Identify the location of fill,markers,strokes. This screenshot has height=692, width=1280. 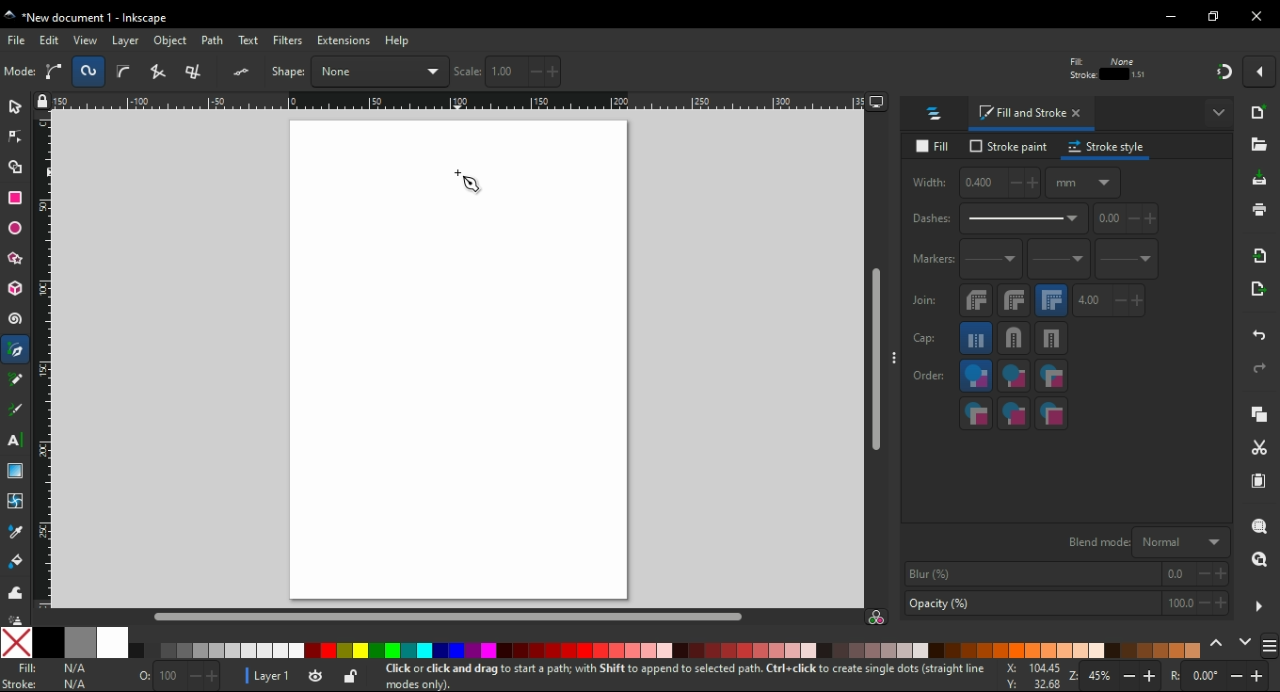
(1051, 376).